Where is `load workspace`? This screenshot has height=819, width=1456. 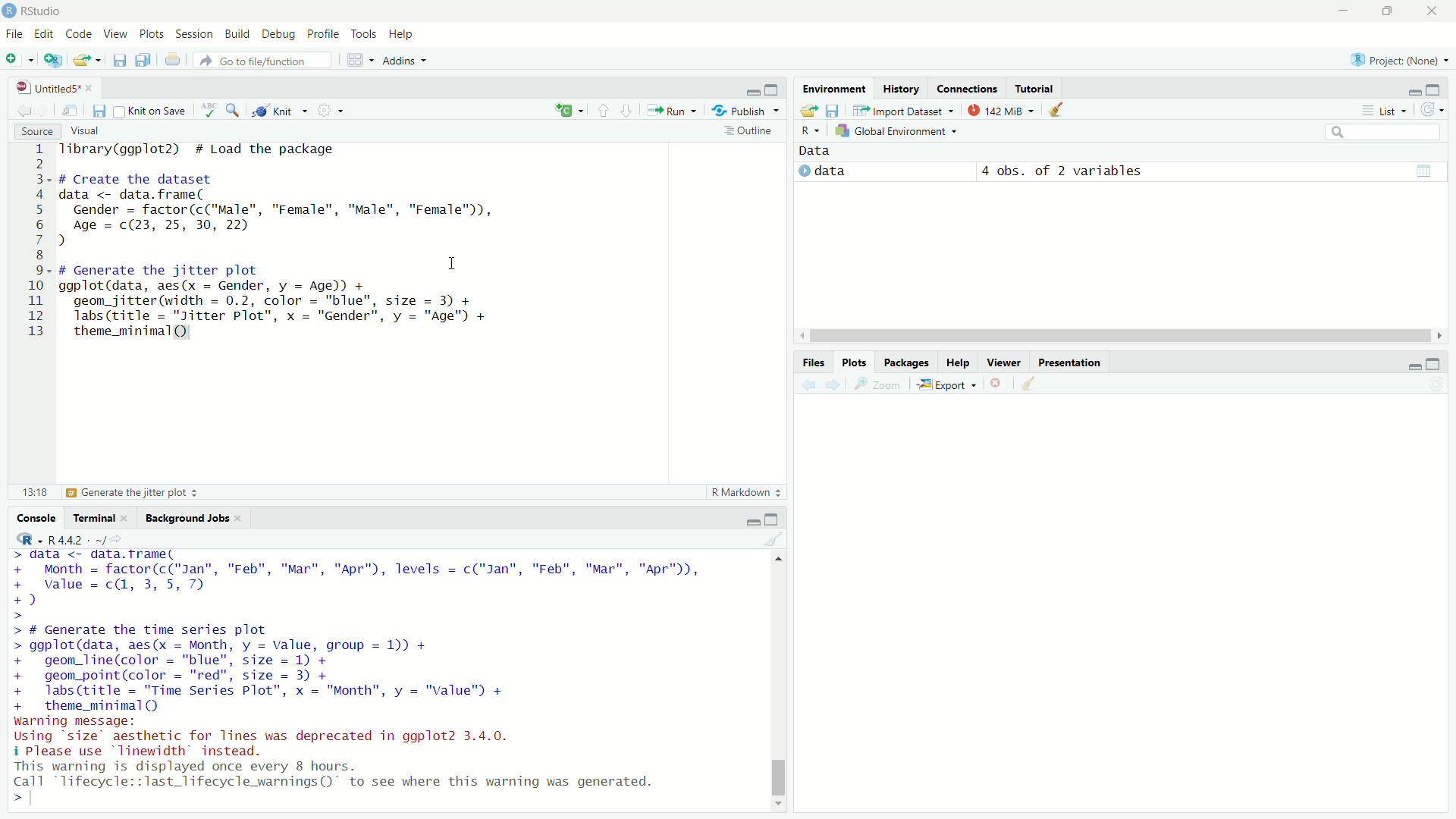
load workspace is located at coordinates (808, 111).